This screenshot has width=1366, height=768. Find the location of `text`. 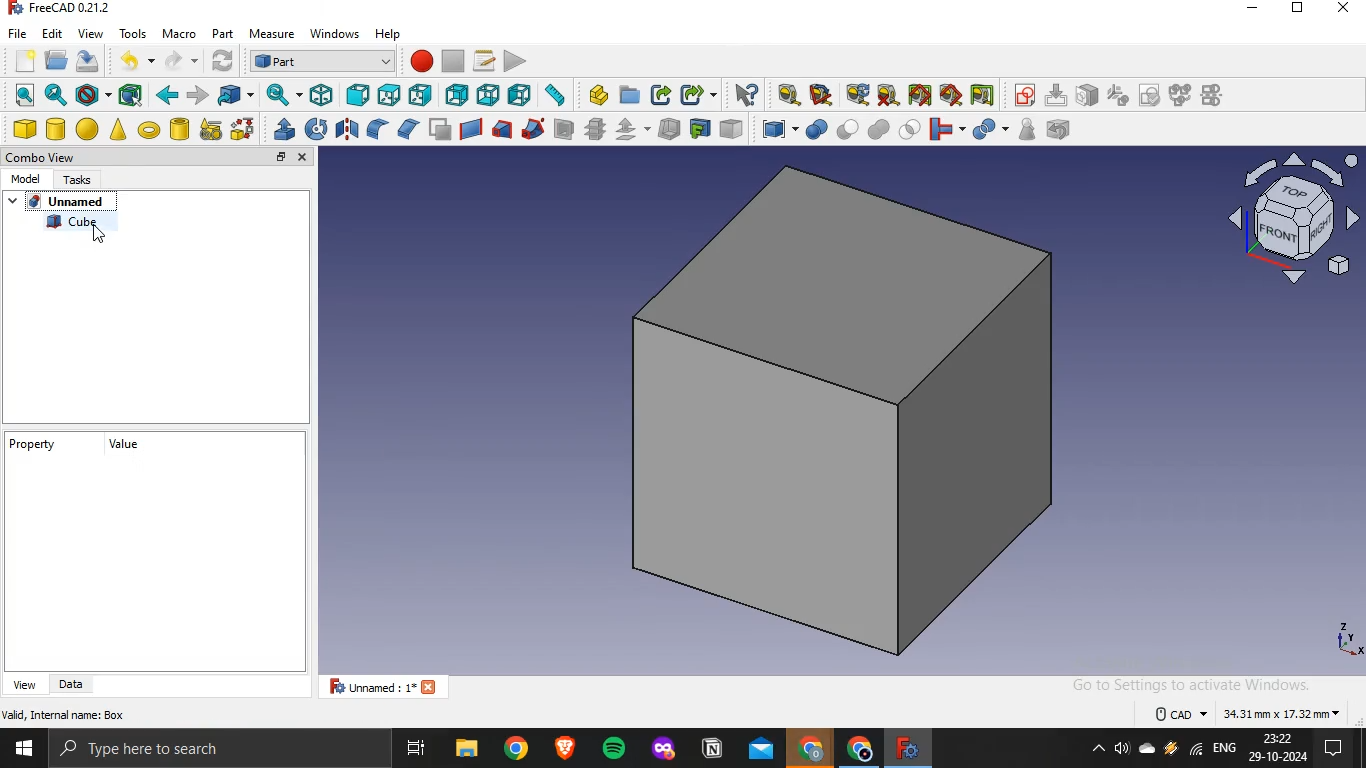

text is located at coordinates (64, 9).